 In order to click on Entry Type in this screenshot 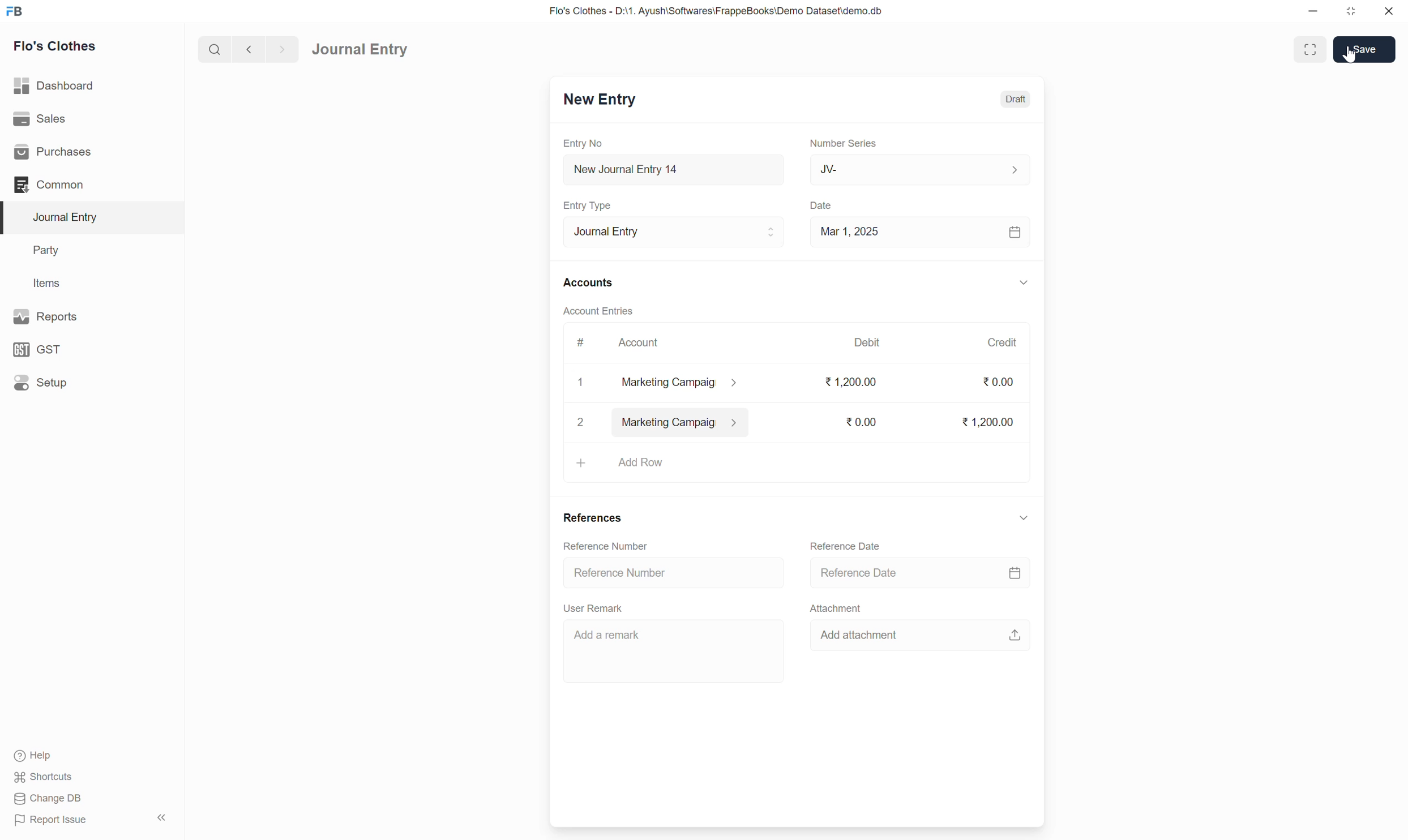, I will do `click(591, 205)`.